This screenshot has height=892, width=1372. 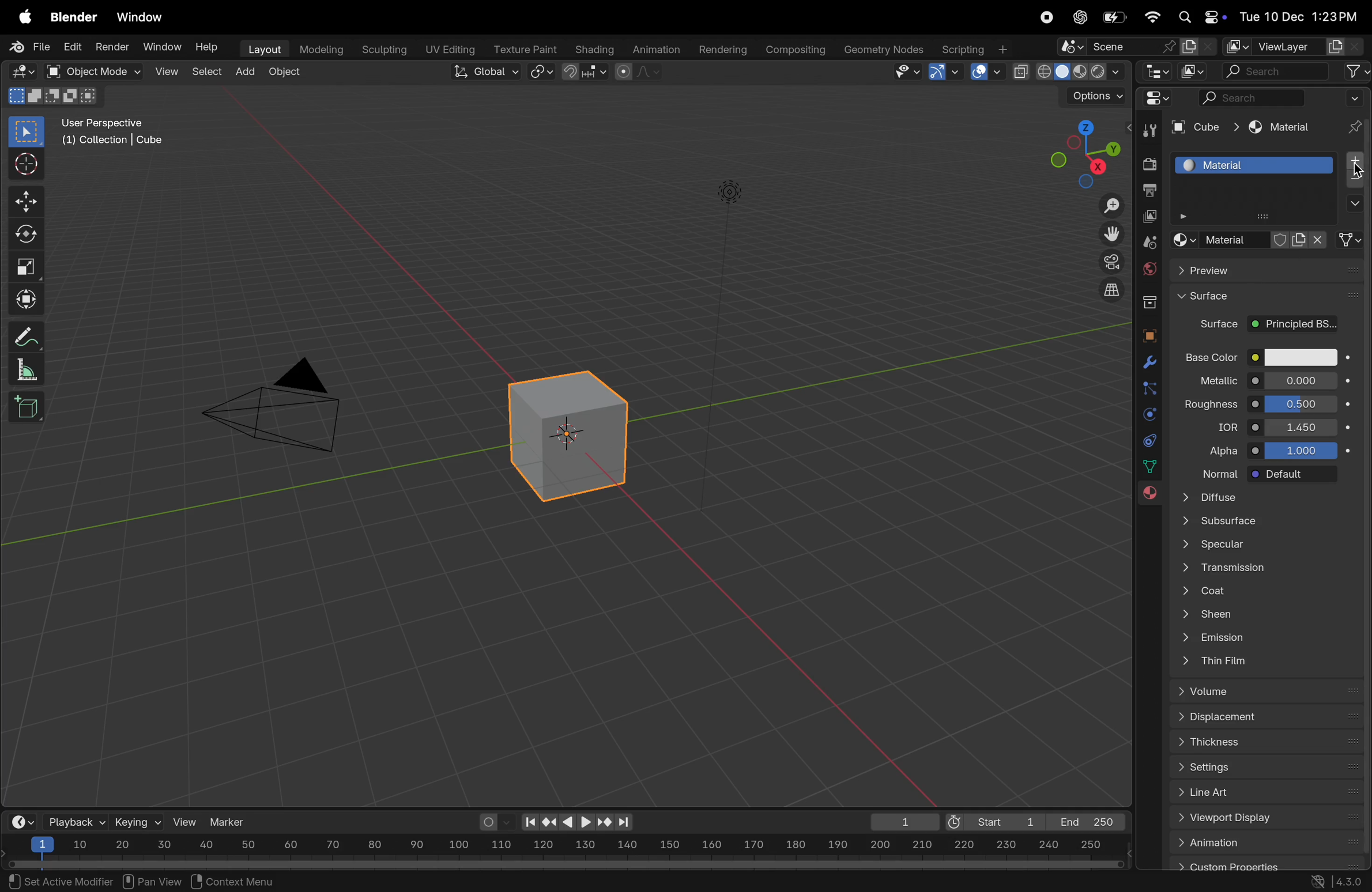 I want to click on emission, so click(x=1225, y=637).